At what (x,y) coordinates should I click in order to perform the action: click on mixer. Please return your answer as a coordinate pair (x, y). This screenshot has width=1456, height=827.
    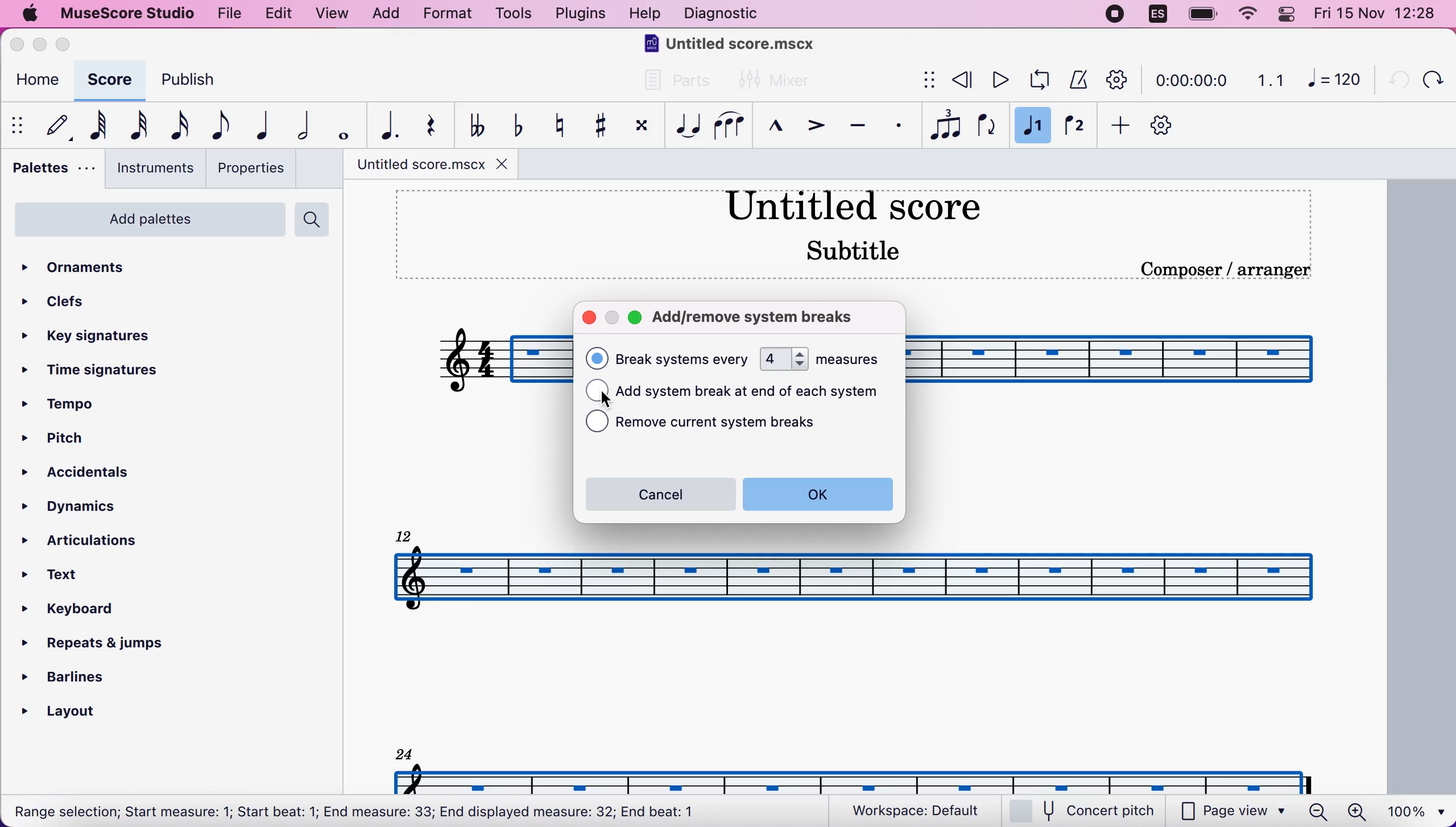
    Looking at the image, I should click on (775, 81).